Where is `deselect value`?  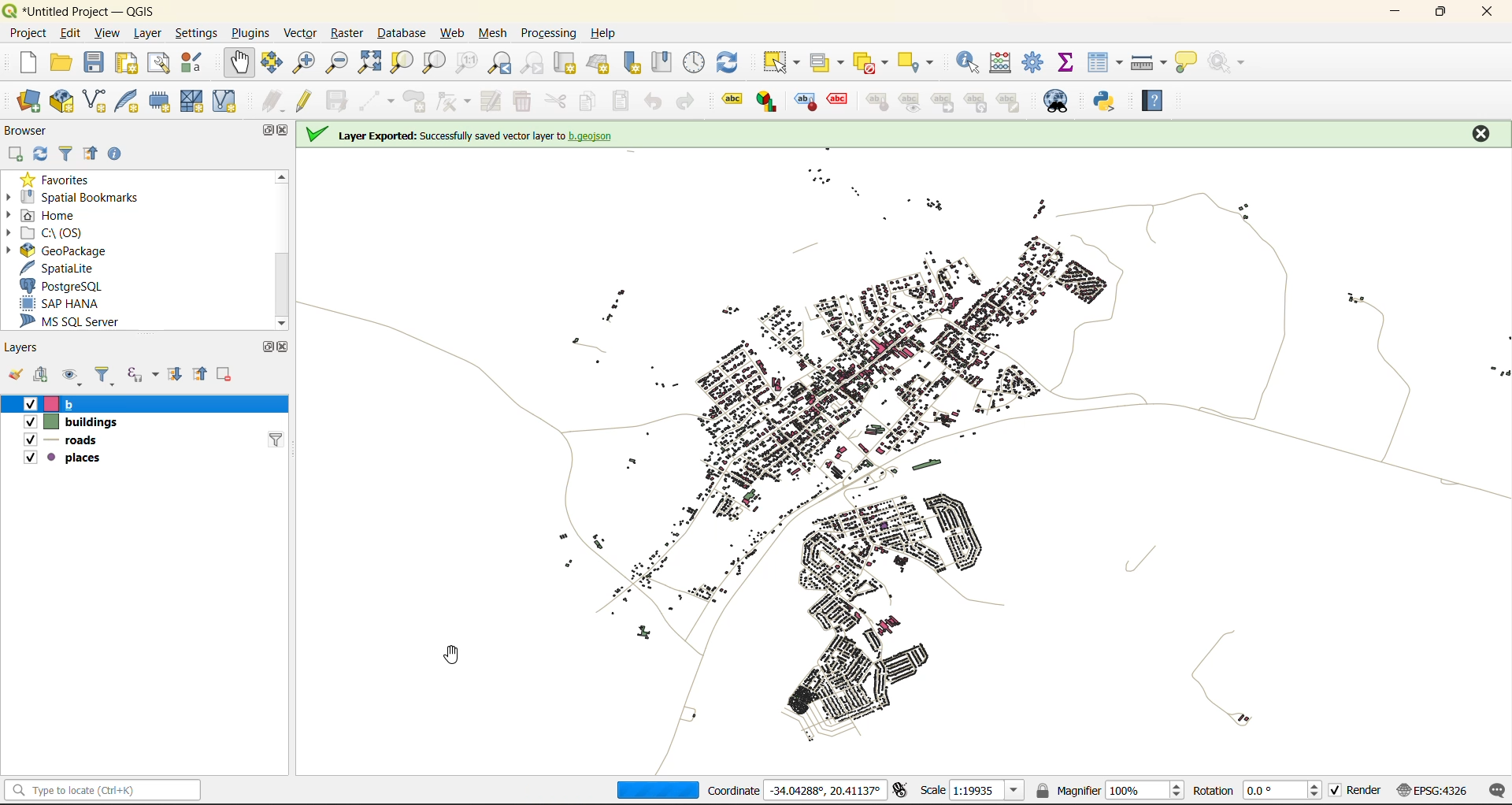 deselect value is located at coordinates (874, 63).